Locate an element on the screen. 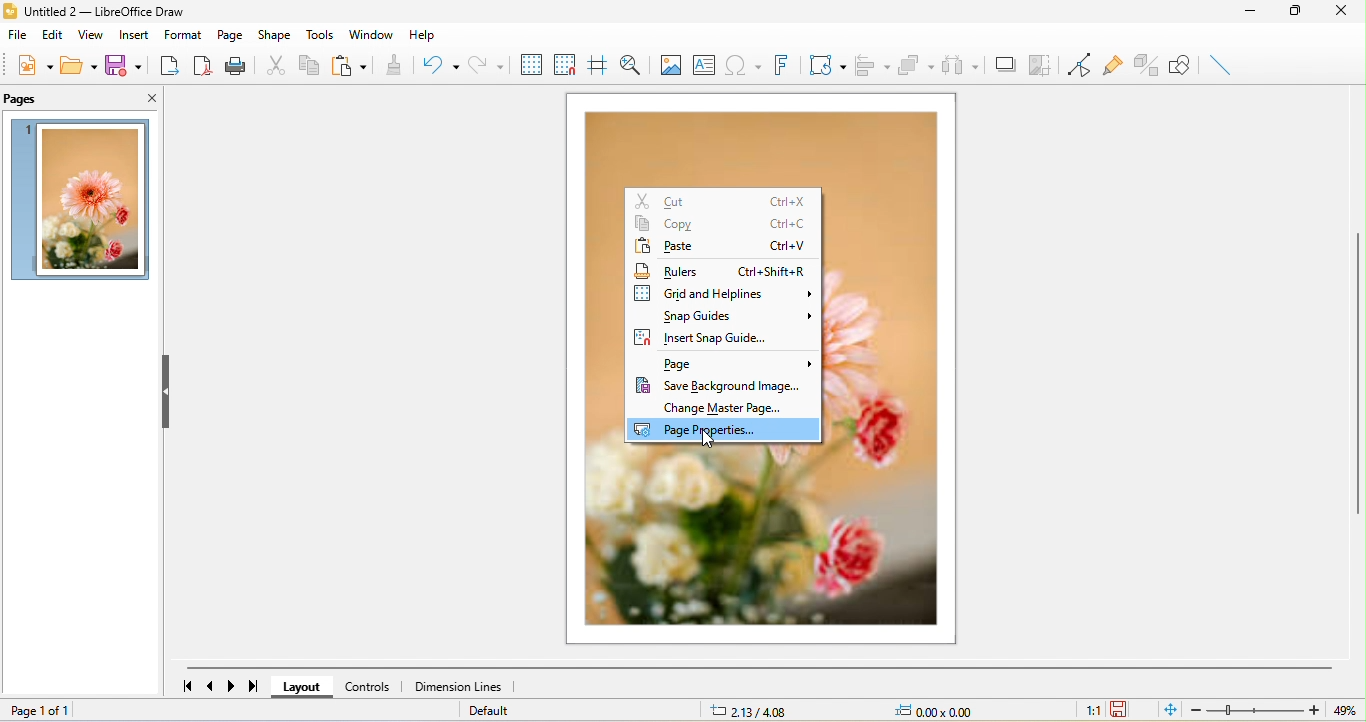 This screenshot has height=722, width=1366. rulers is located at coordinates (724, 268).